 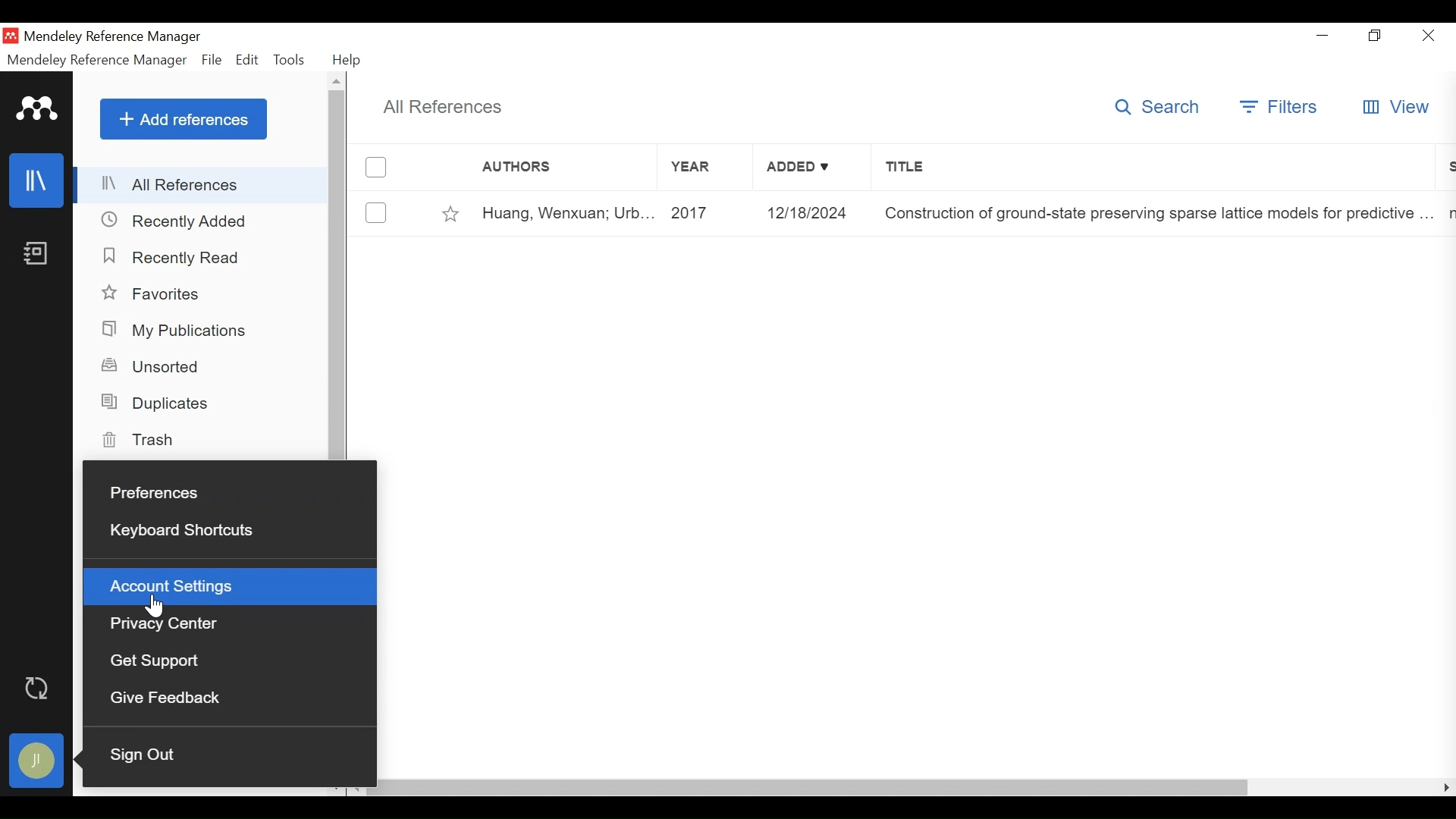 I want to click on View, so click(x=1398, y=107).